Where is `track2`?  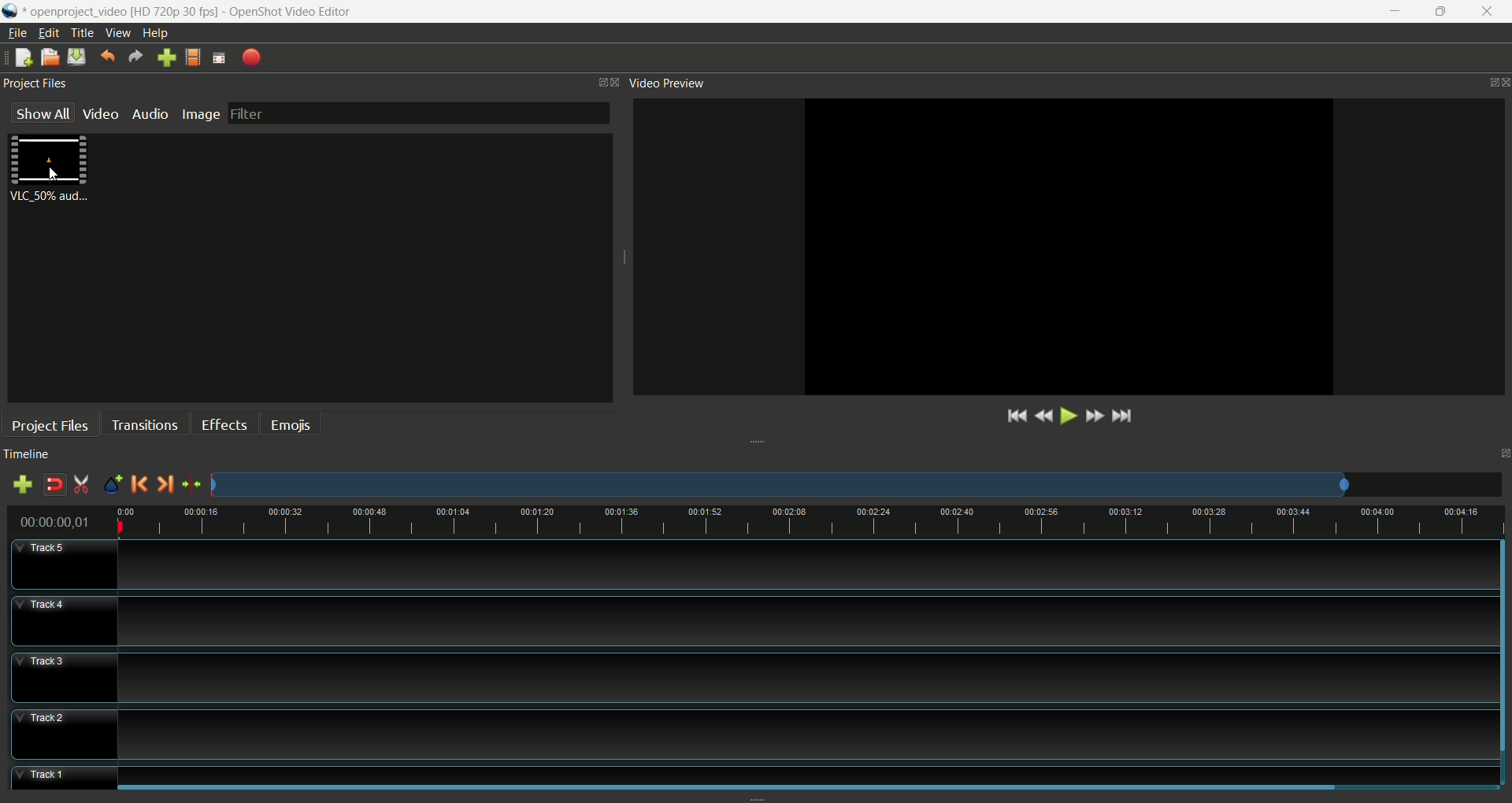 track2 is located at coordinates (754, 735).